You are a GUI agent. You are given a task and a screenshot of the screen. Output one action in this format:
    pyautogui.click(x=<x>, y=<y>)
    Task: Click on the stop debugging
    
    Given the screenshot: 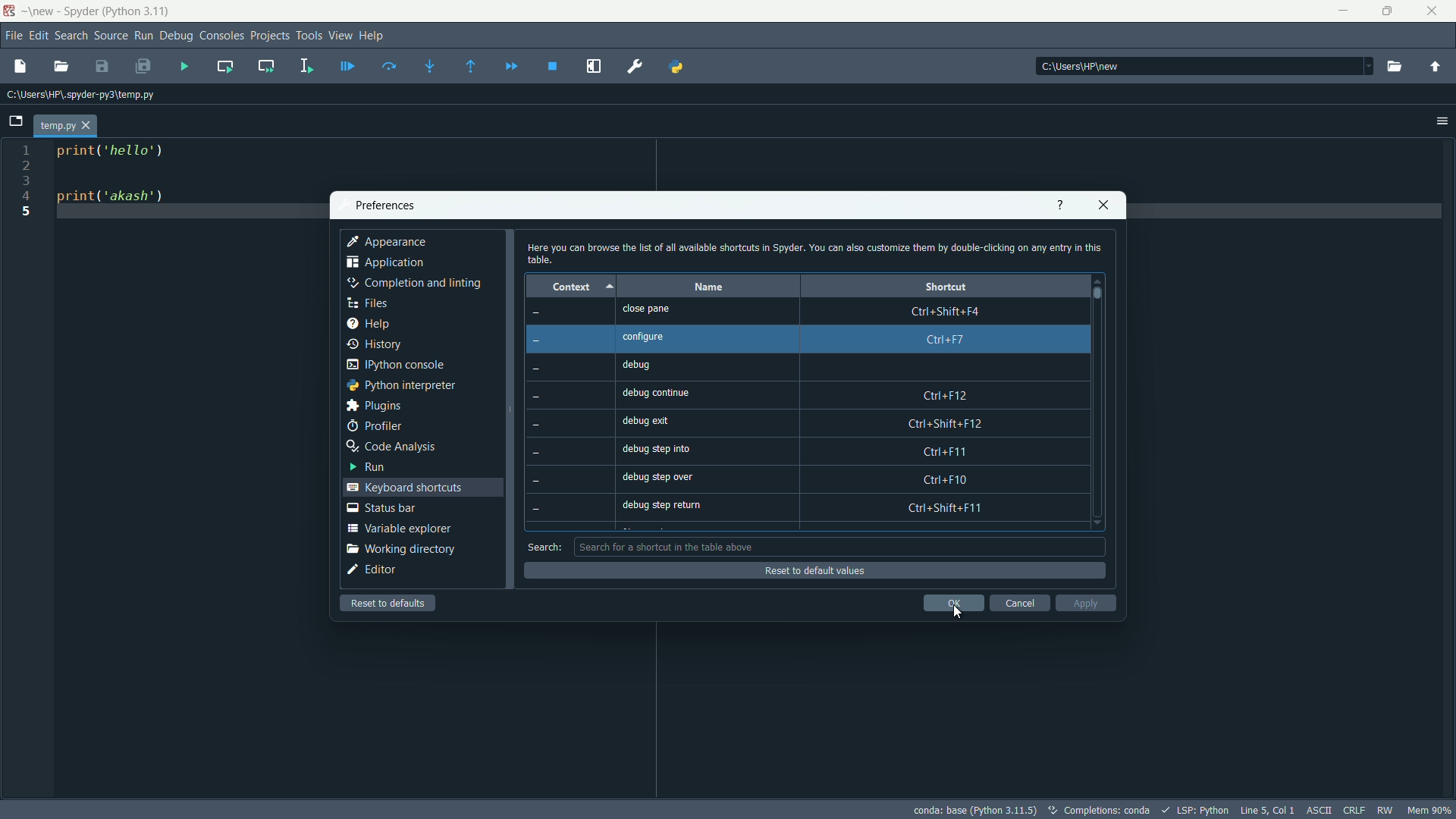 What is the action you would take?
    pyautogui.click(x=553, y=66)
    